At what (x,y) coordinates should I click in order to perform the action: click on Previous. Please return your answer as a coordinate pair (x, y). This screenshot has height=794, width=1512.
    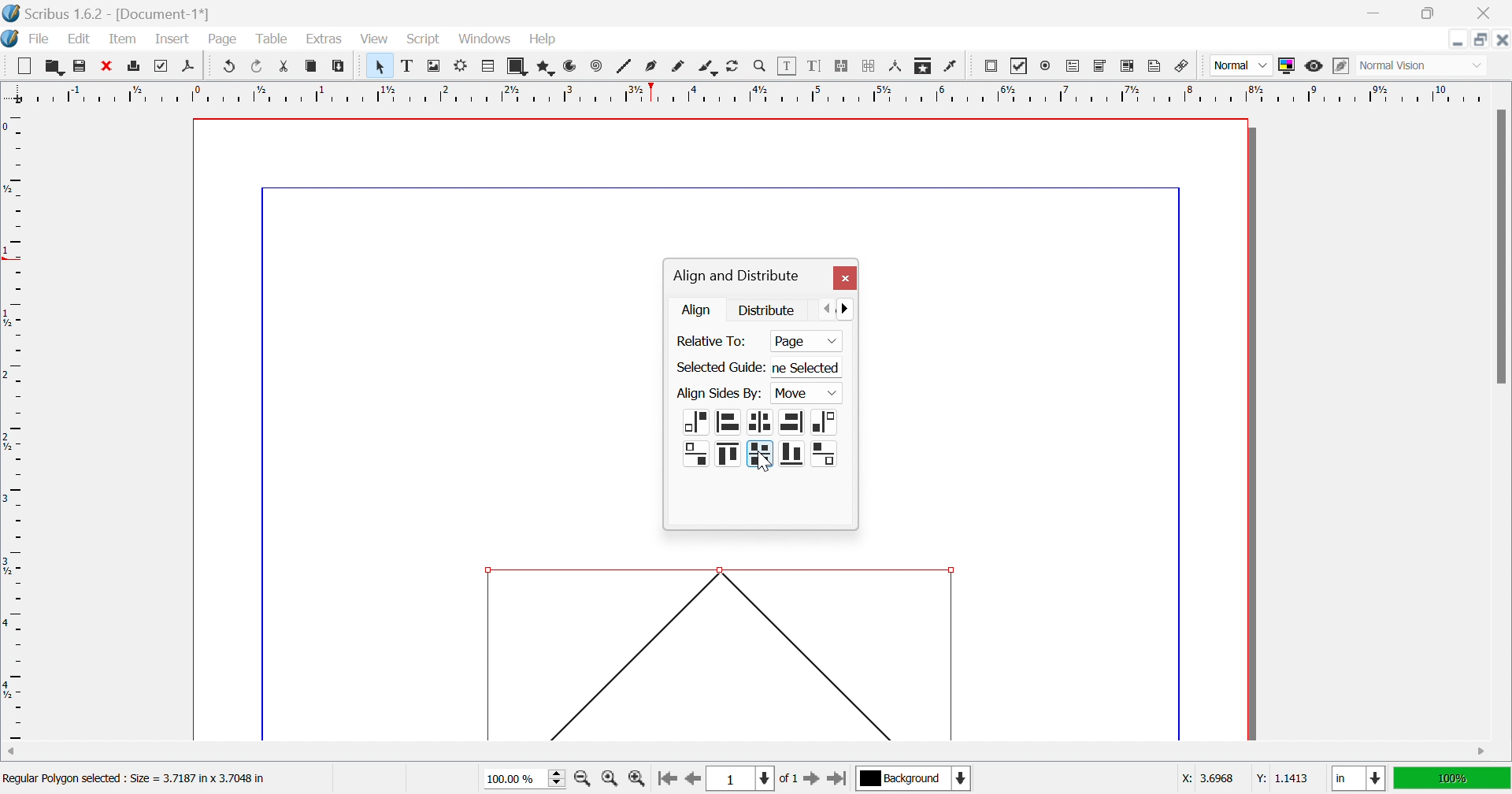
    Looking at the image, I should click on (829, 307).